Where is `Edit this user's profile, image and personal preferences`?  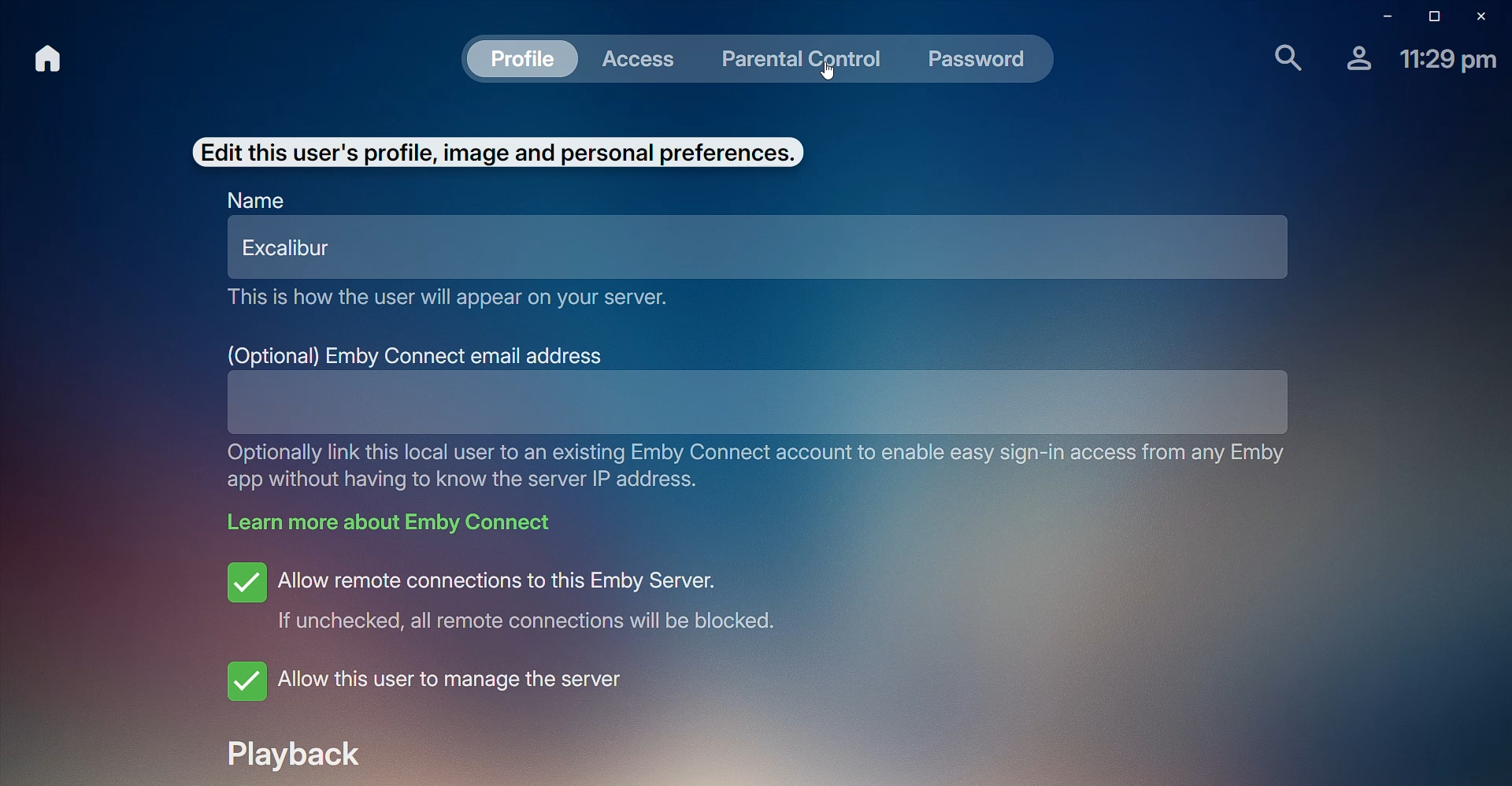 Edit this user's profile, image and personal preferences is located at coordinates (495, 151).